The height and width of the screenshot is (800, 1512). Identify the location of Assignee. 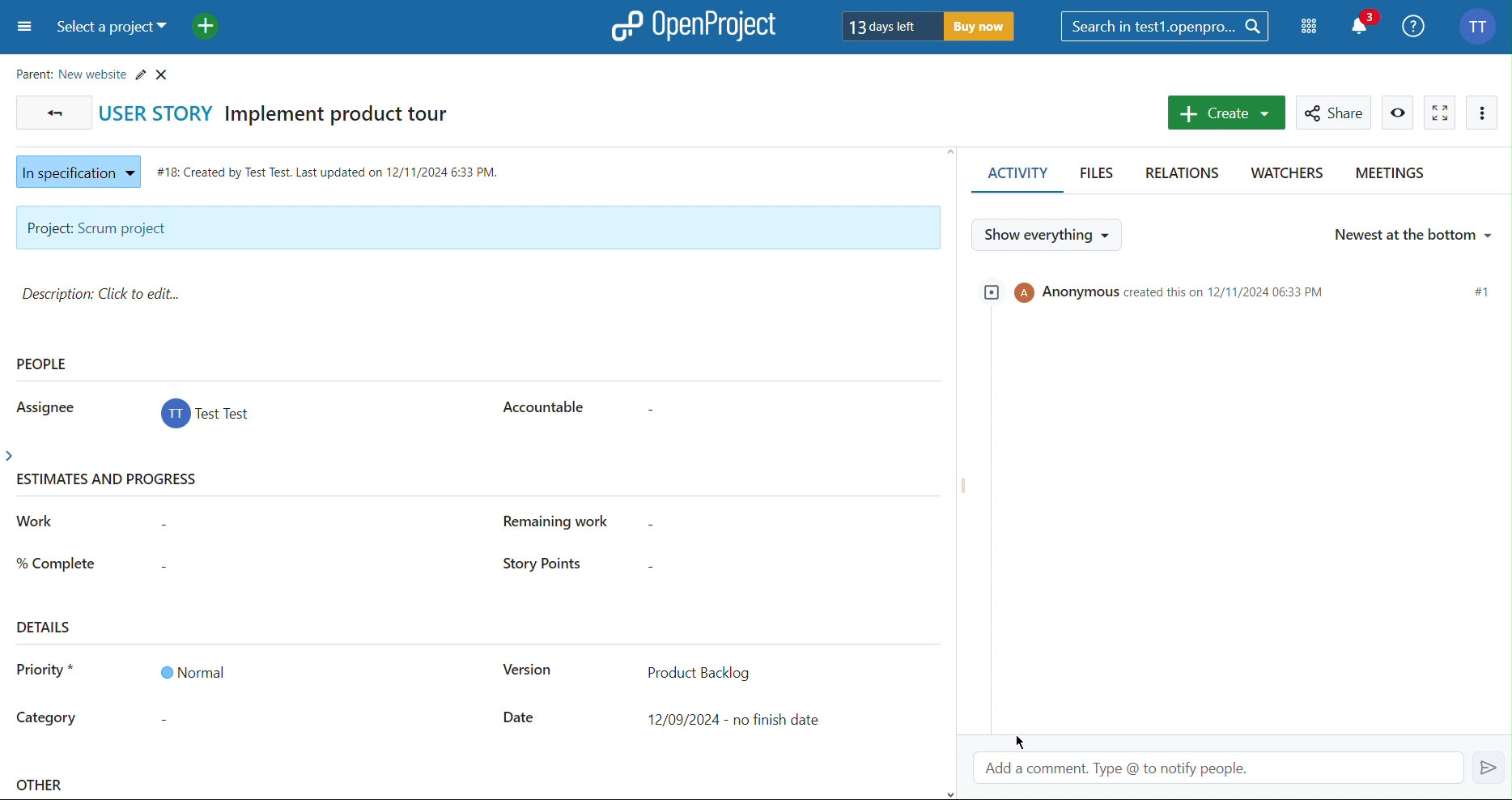
(42, 406).